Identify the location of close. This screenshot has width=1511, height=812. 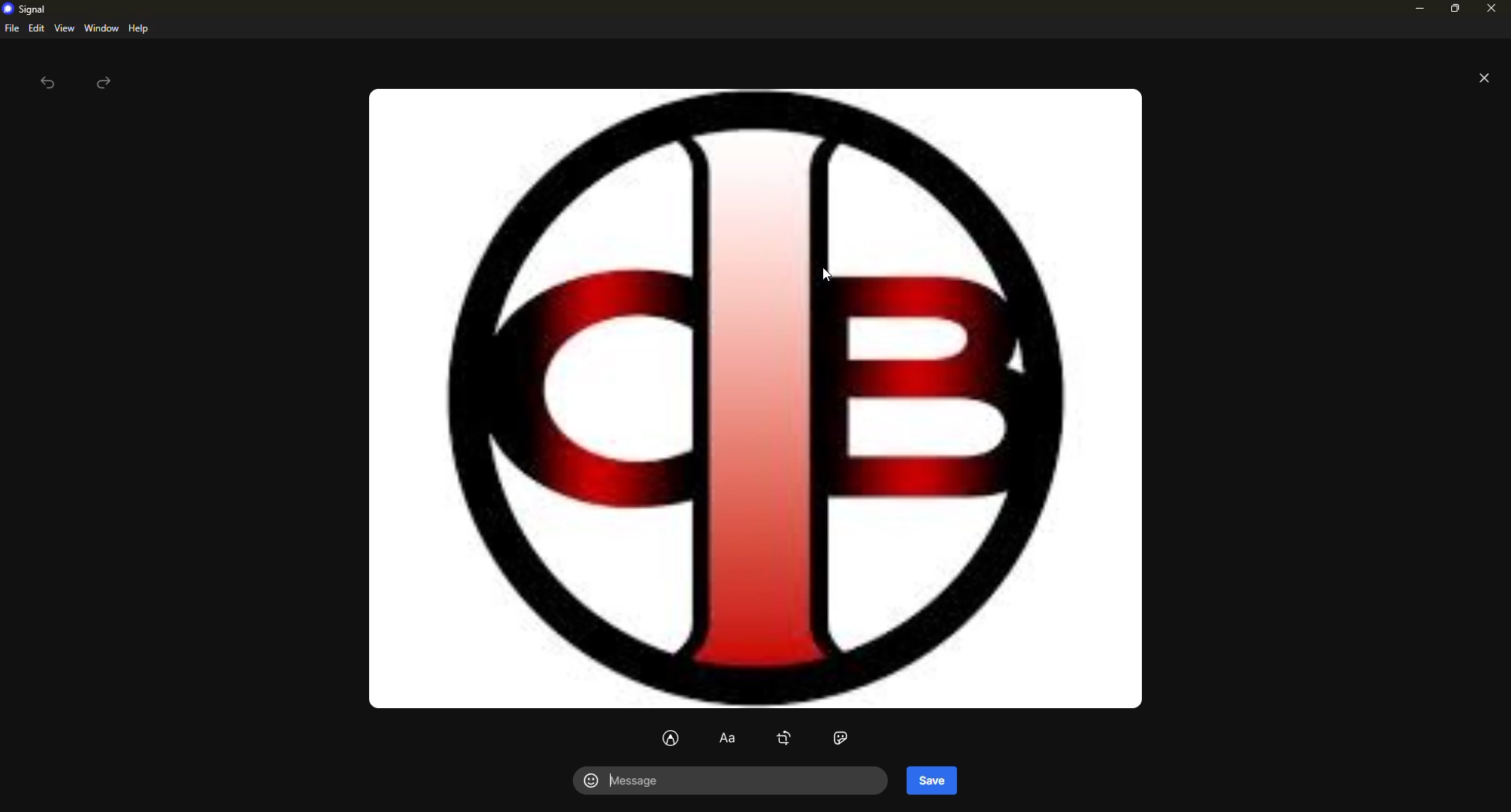
(1484, 78).